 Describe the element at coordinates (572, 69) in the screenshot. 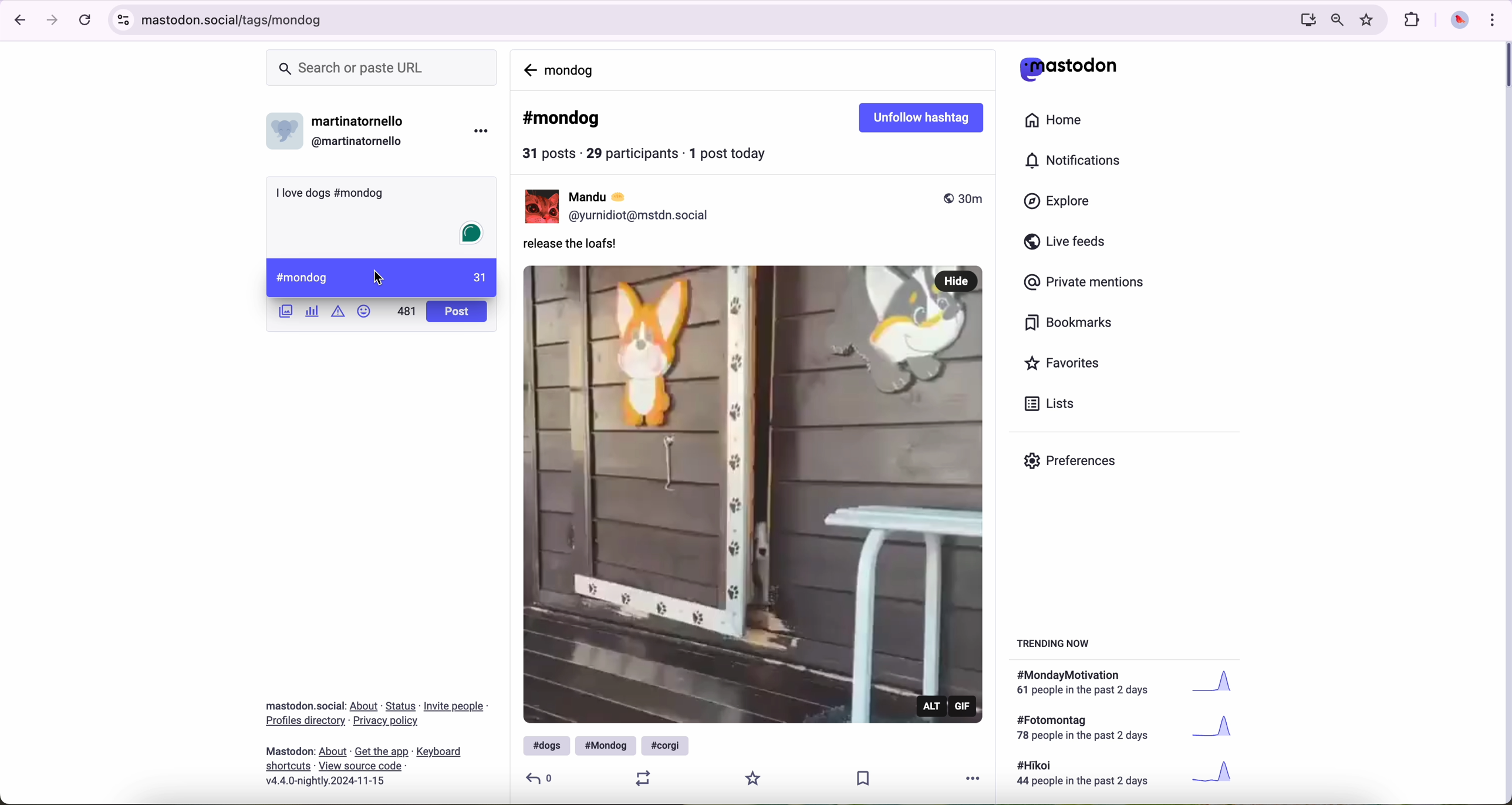

I see `mondog` at that location.